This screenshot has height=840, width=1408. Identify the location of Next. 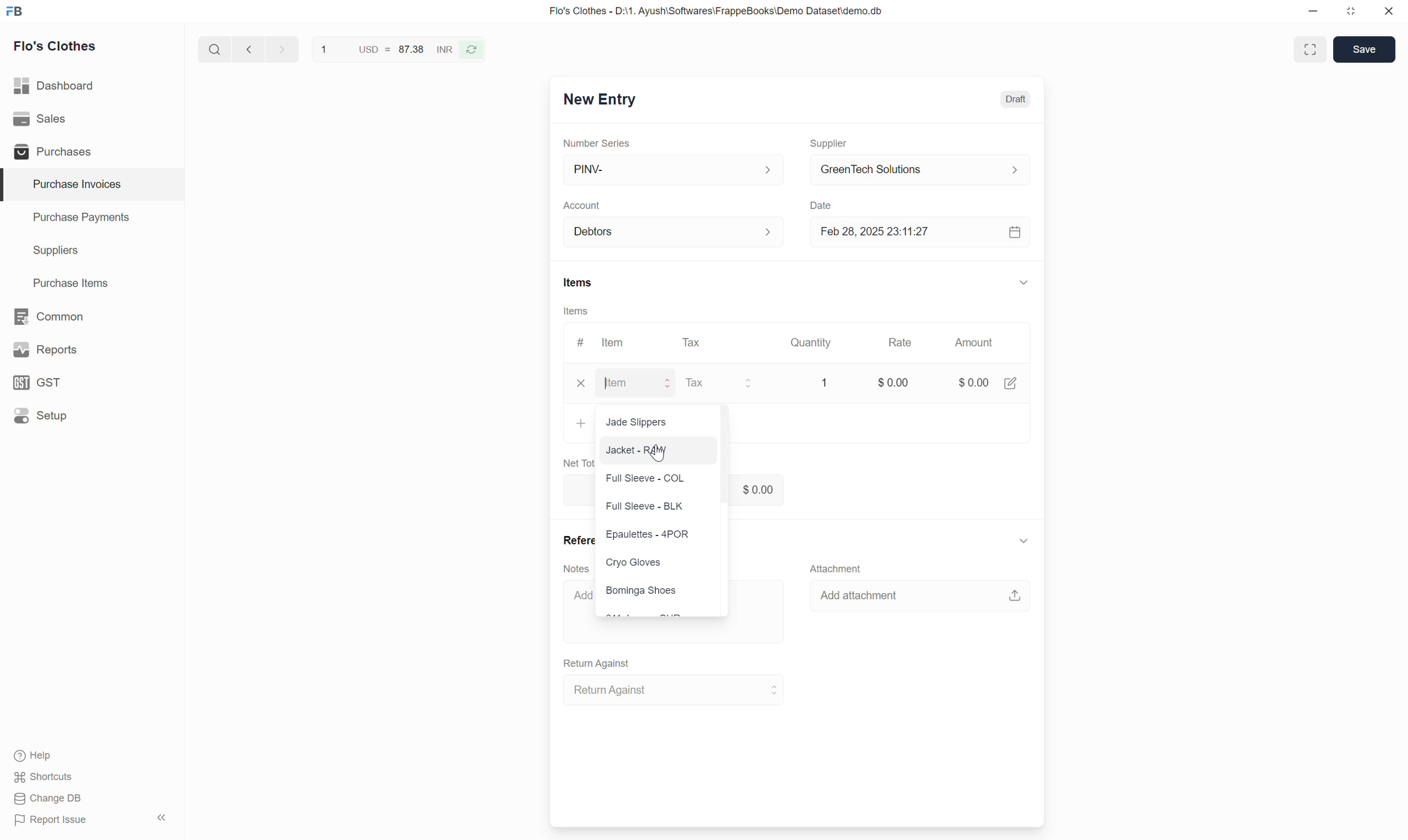
(283, 49).